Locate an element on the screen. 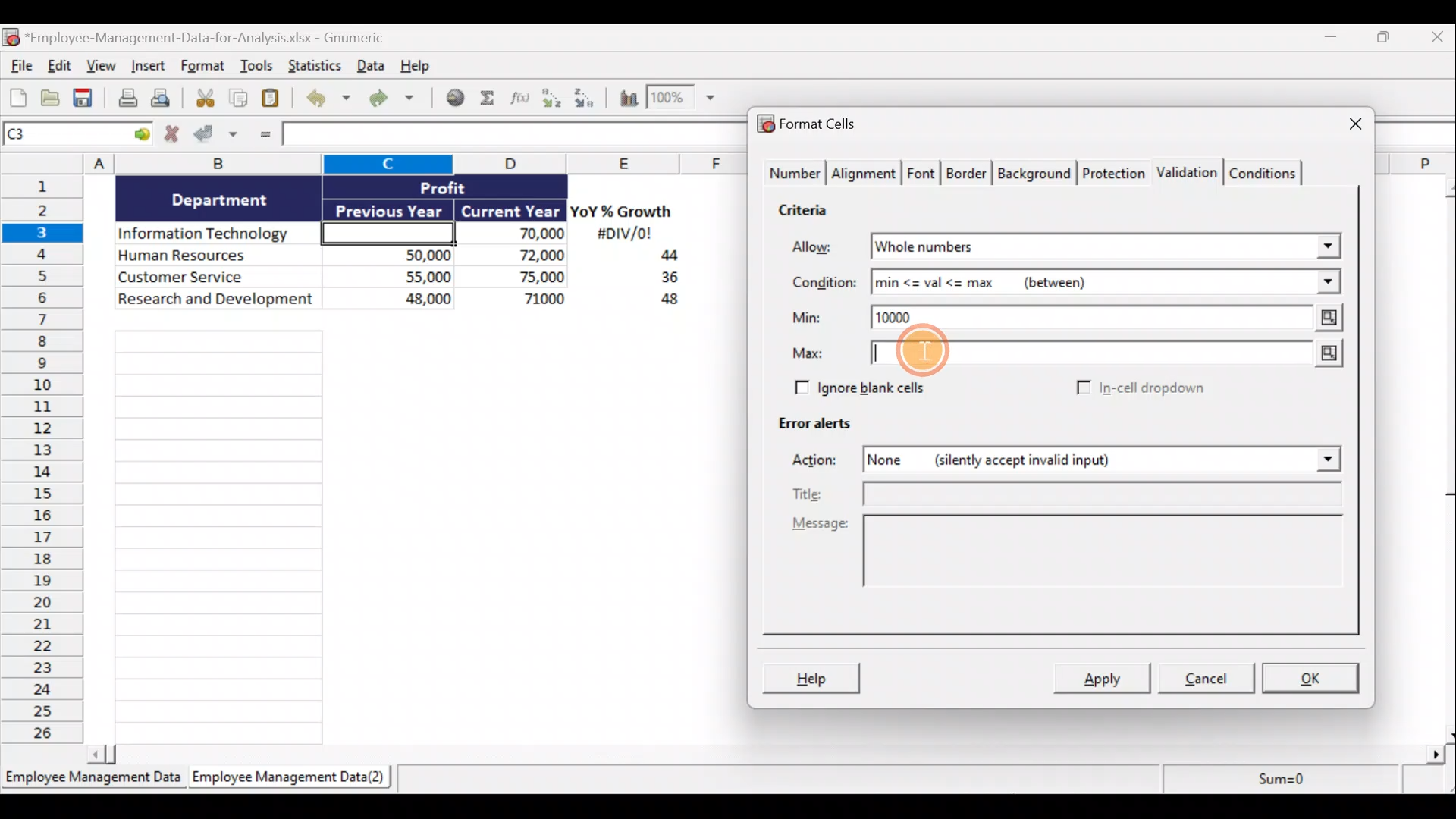 This screenshot has height=819, width=1456. Cancel changes is located at coordinates (172, 136).